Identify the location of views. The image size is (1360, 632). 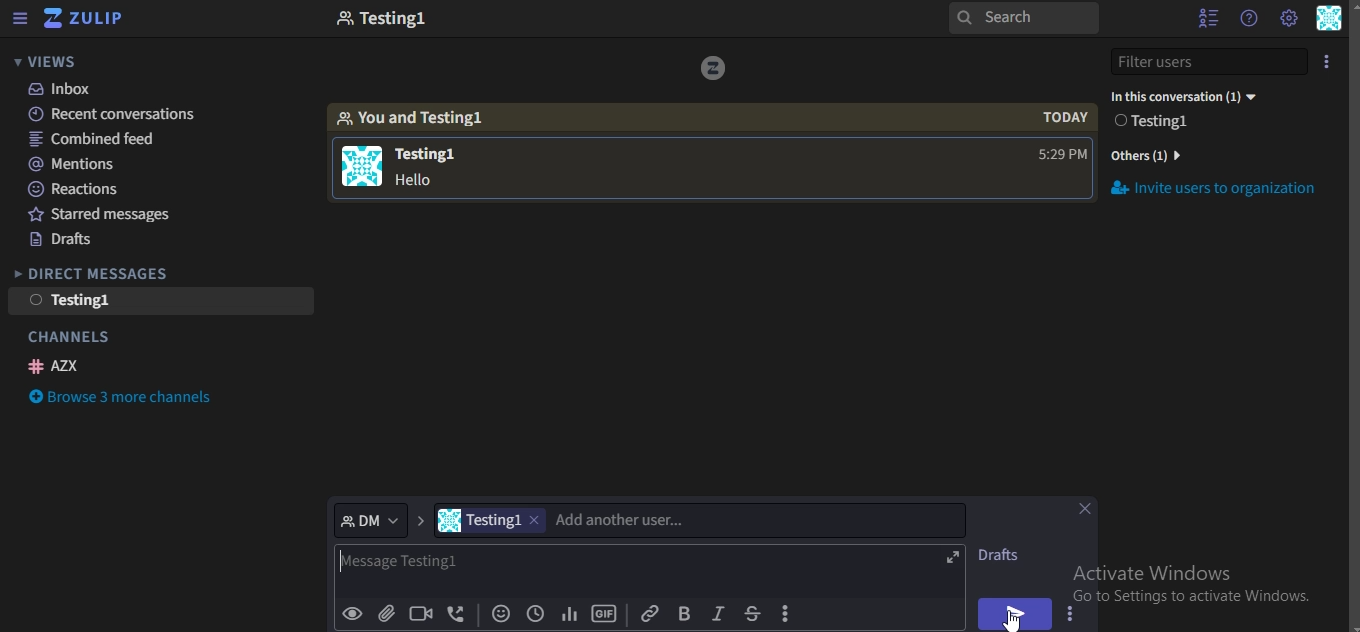
(55, 62).